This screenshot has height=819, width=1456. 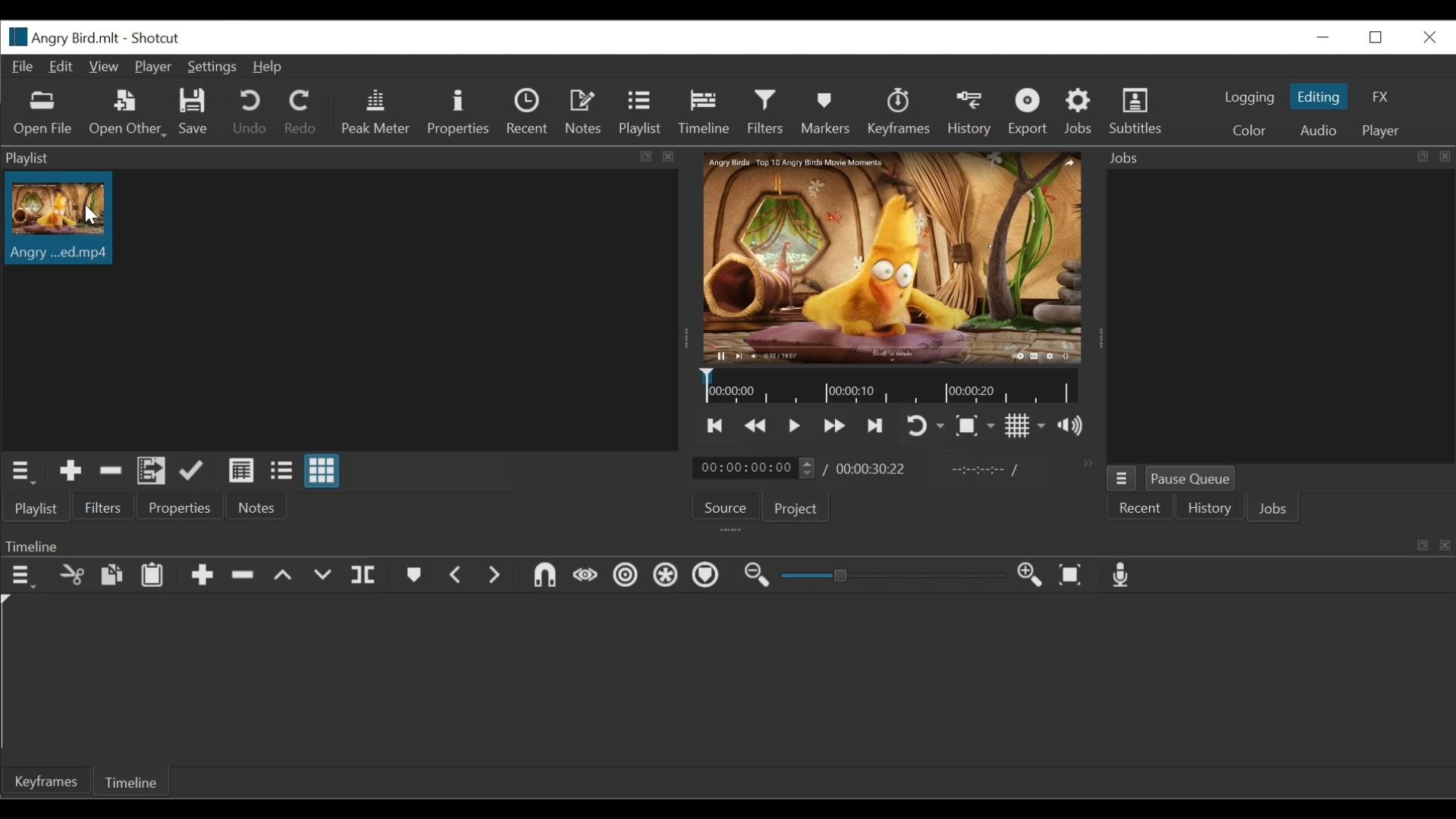 What do you see at coordinates (71, 471) in the screenshot?
I see `Add Source to the playlist` at bounding box center [71, 471].